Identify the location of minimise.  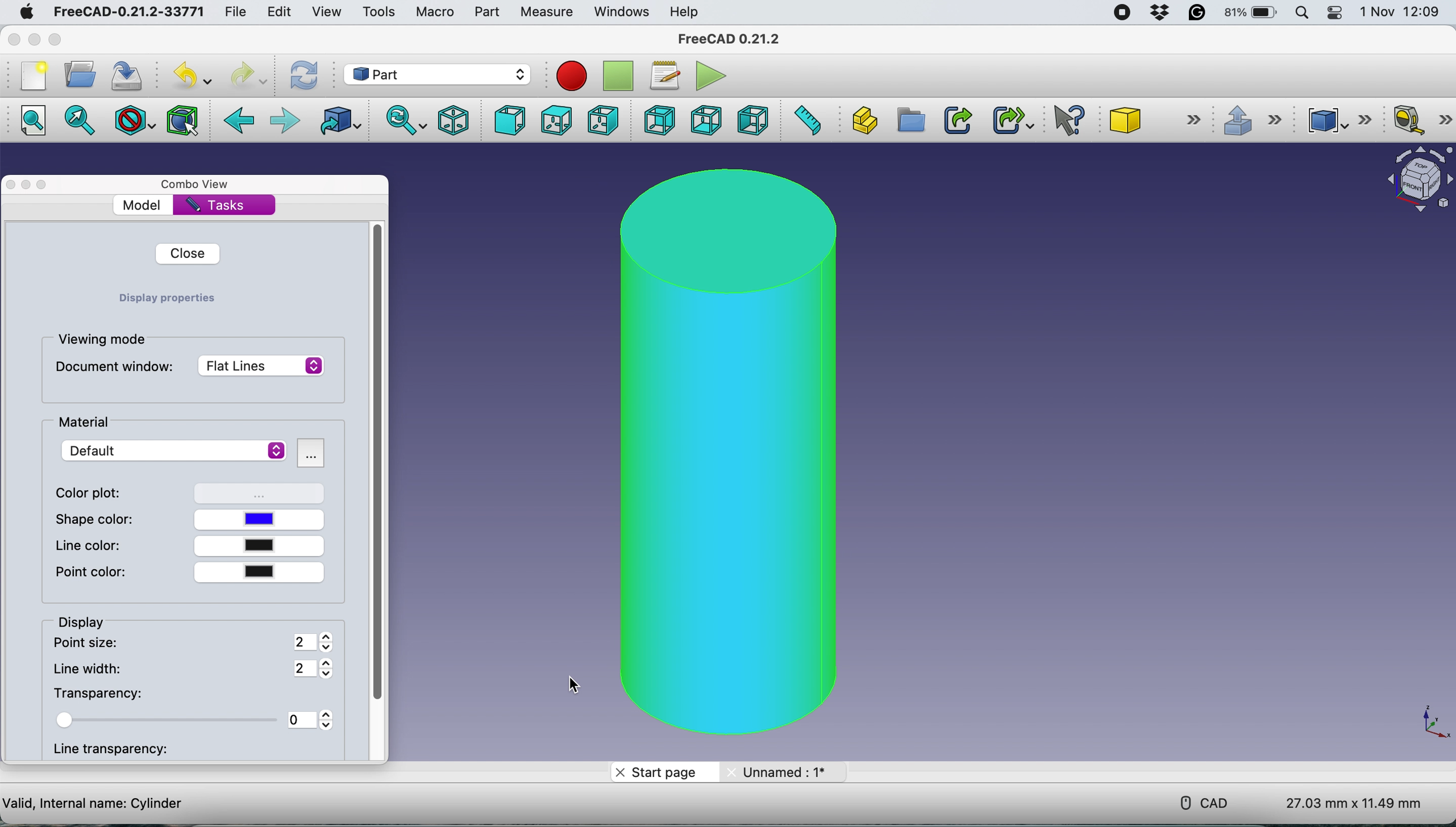
(26, 187).